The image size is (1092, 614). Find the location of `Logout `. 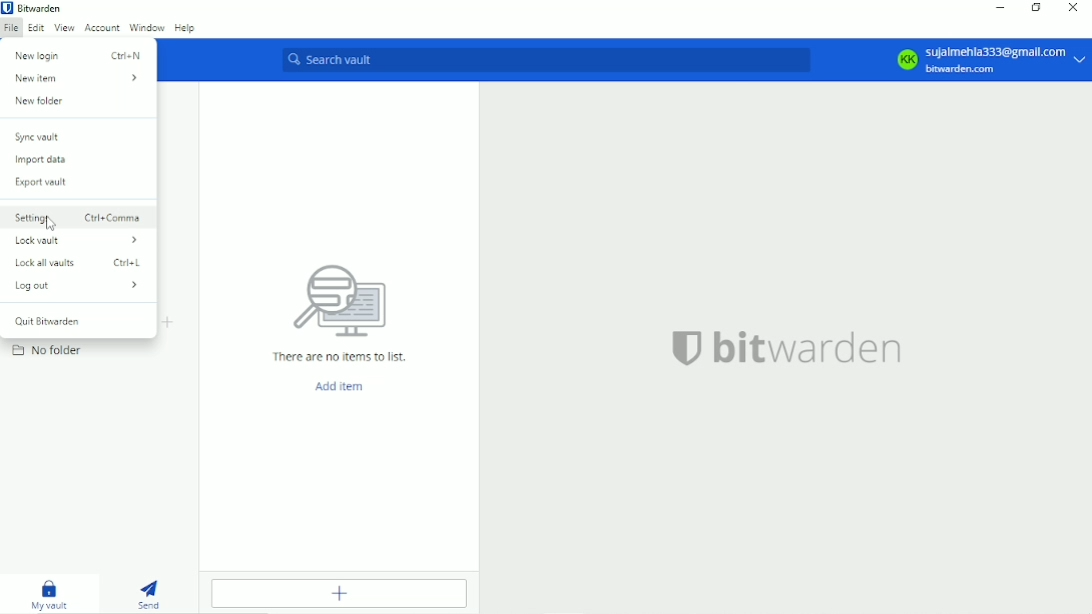

Logout  is located at coordinates (76, 285).